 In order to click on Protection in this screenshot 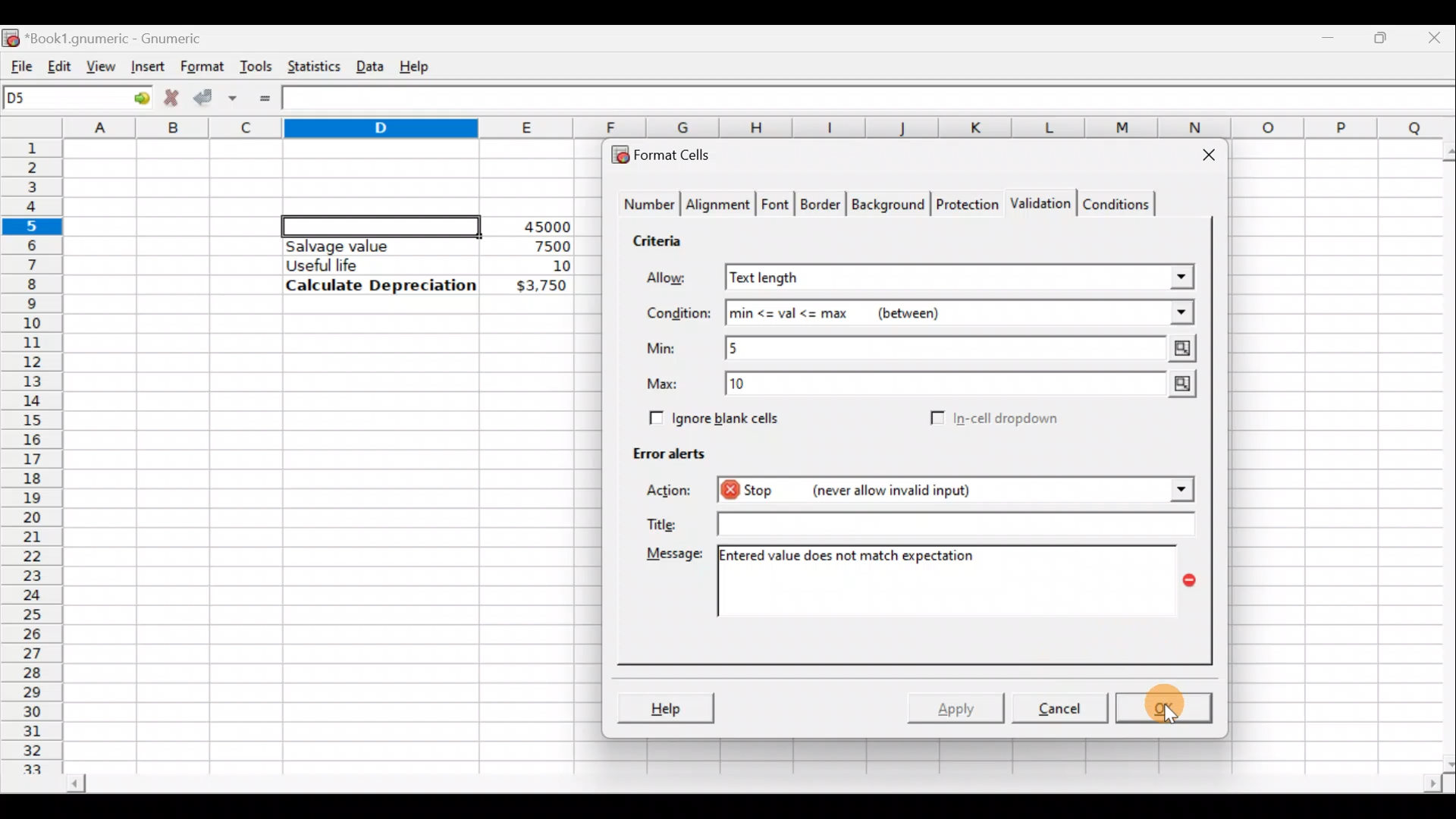, I will do `click(963, 202)`.